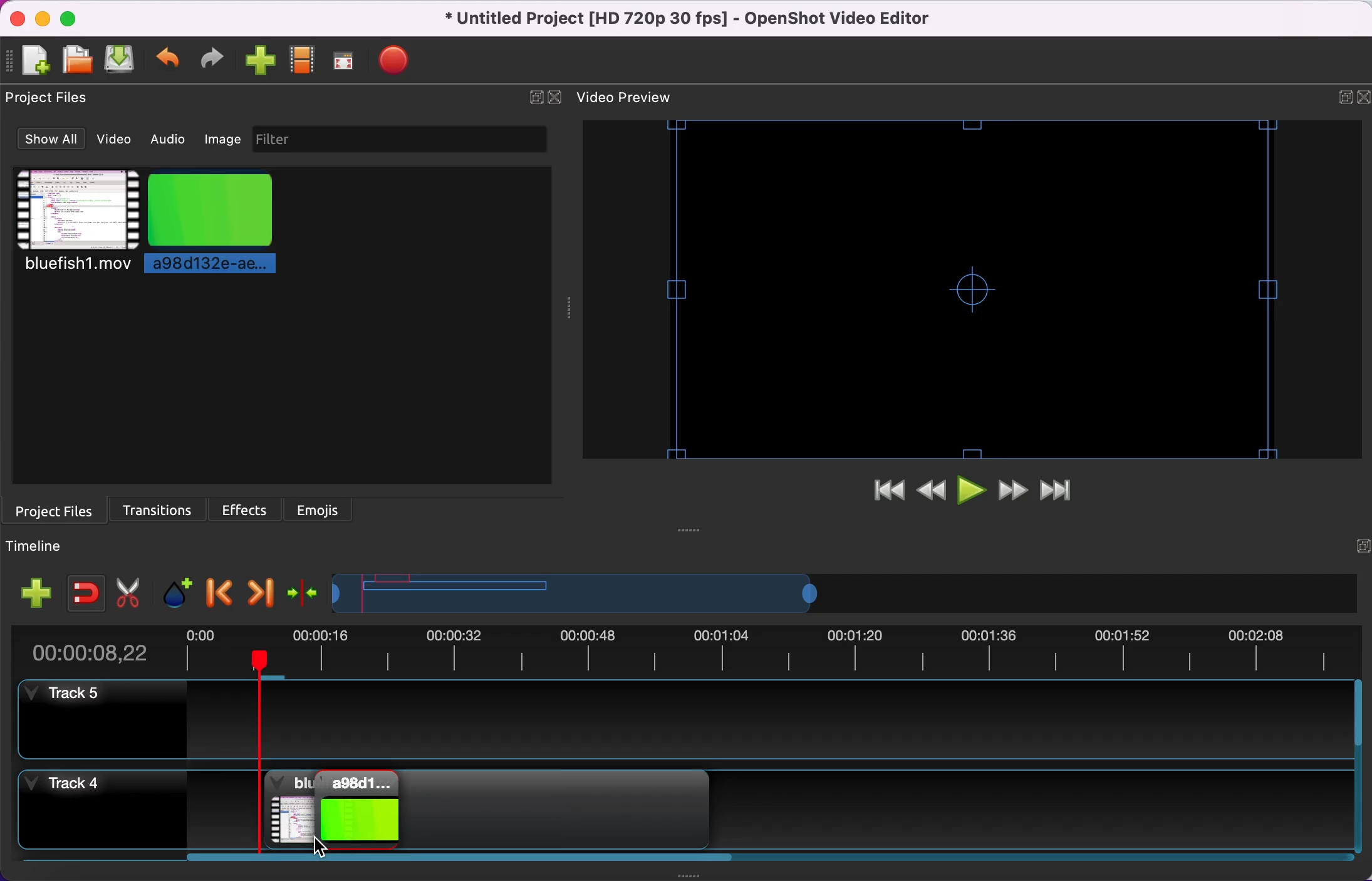 Image resolution: width=1372 pixels, height=881 pixels. Describe the element at coordinates (693, 719) in the screenshot. I see `track 5` at that location.